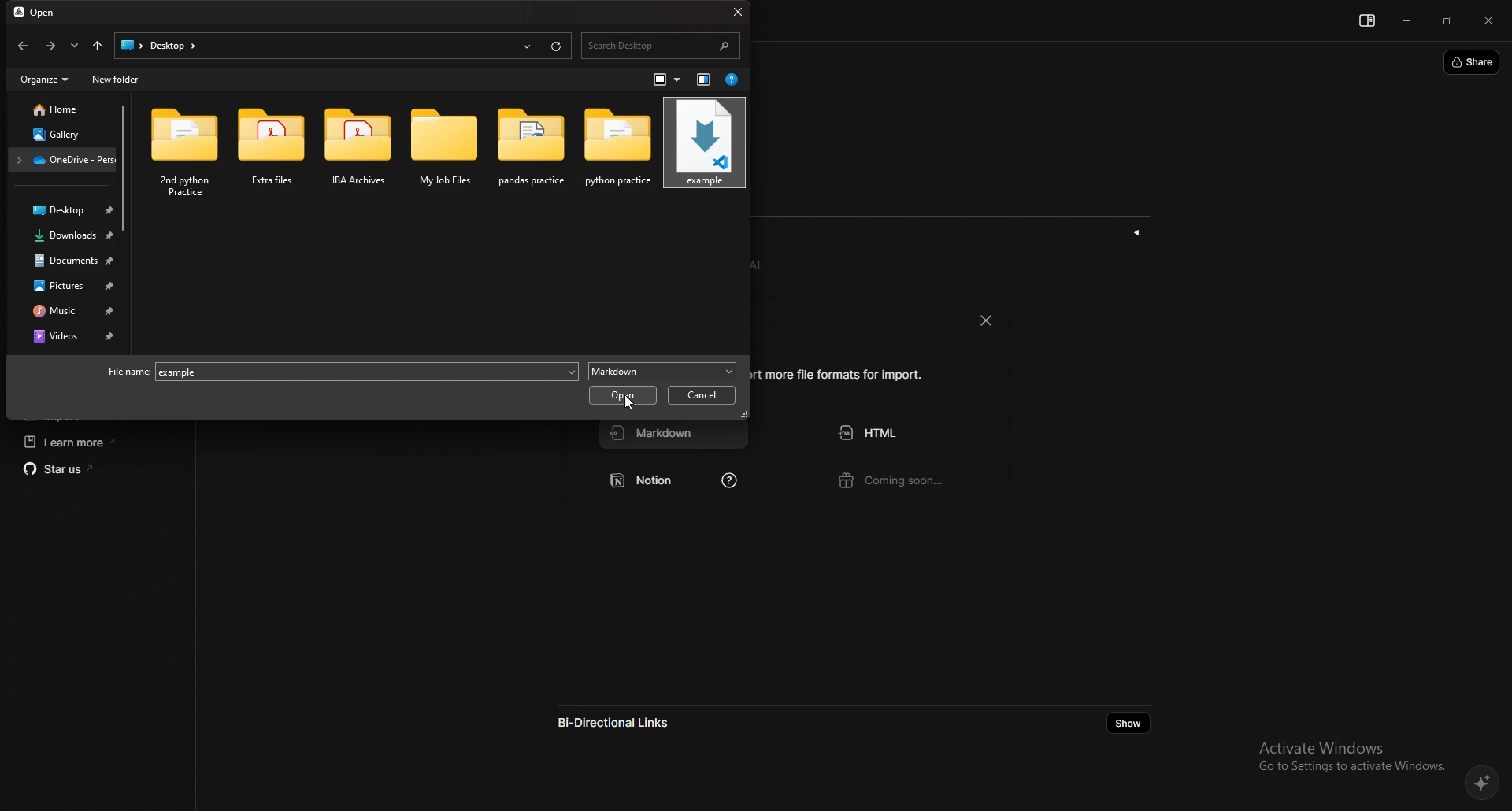 This screenshot has width=1512, height=811. Describe the element at coordinates (65, 261) in the screenshot. I see `documents` at that location.